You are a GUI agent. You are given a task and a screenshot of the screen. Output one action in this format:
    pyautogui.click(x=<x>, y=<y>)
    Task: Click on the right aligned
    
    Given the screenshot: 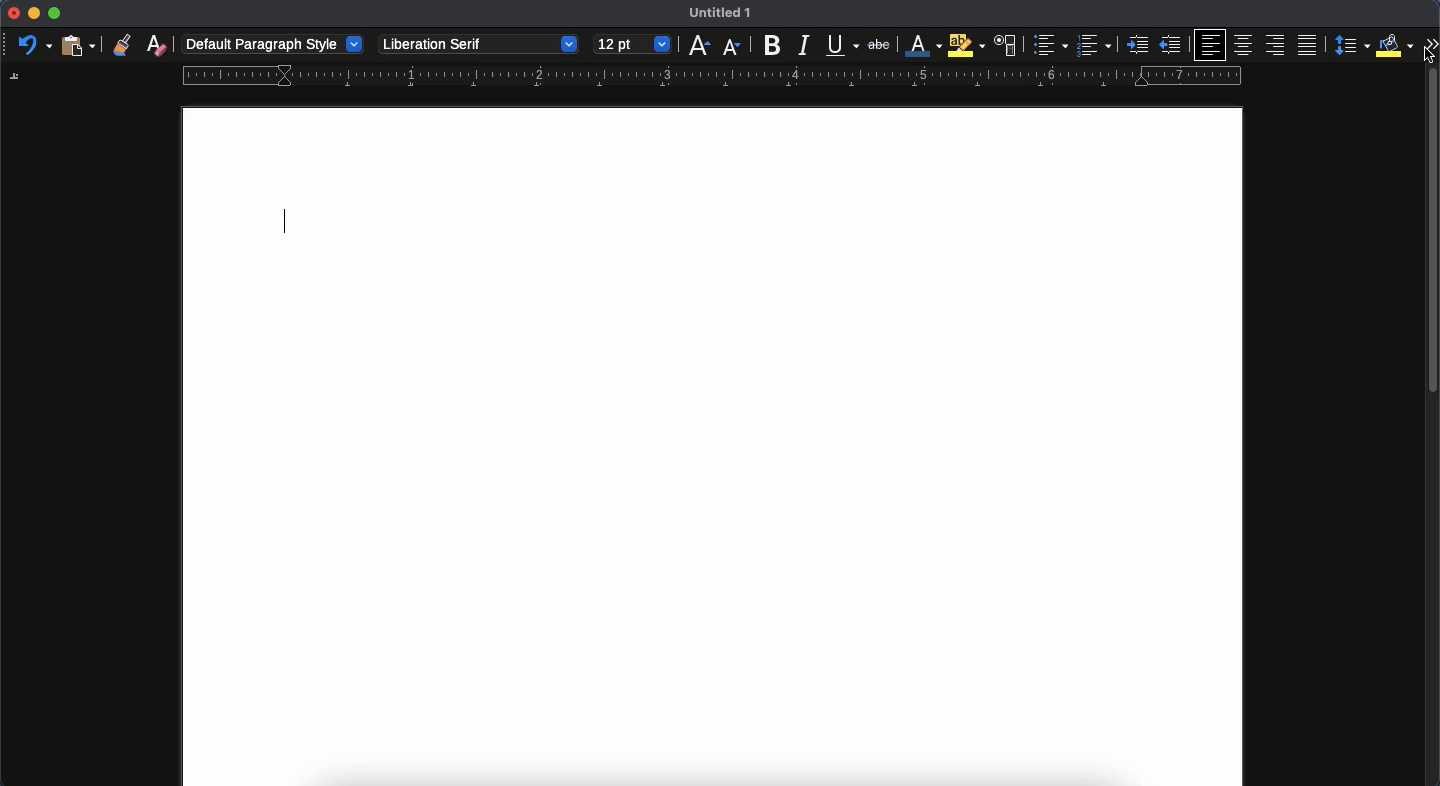 What is the action you would take?
    pyautogui.click(x=1274, y=46)
    